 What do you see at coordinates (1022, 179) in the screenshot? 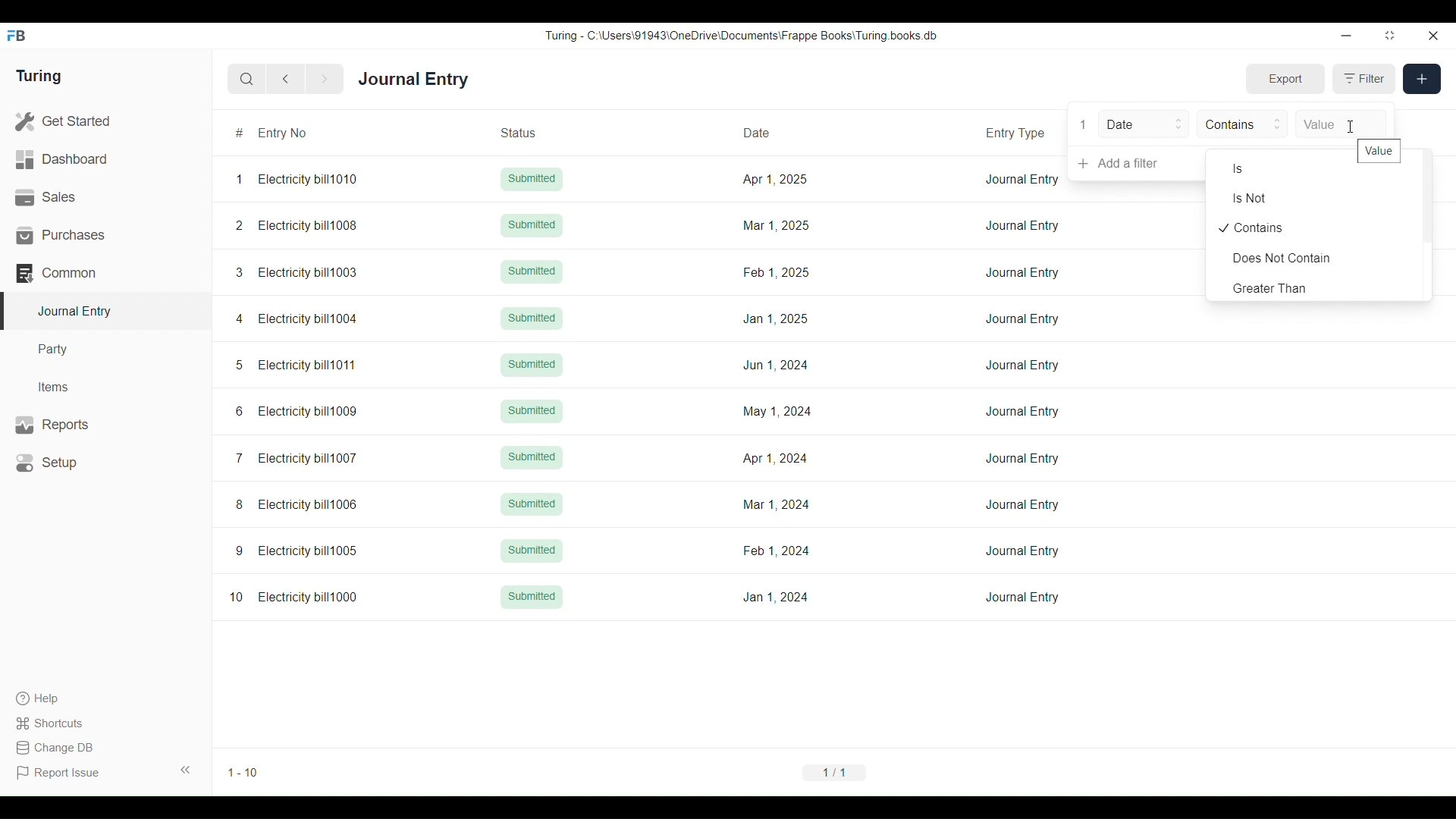
I see `Journal Entry` at bounding box center [1022, 179].